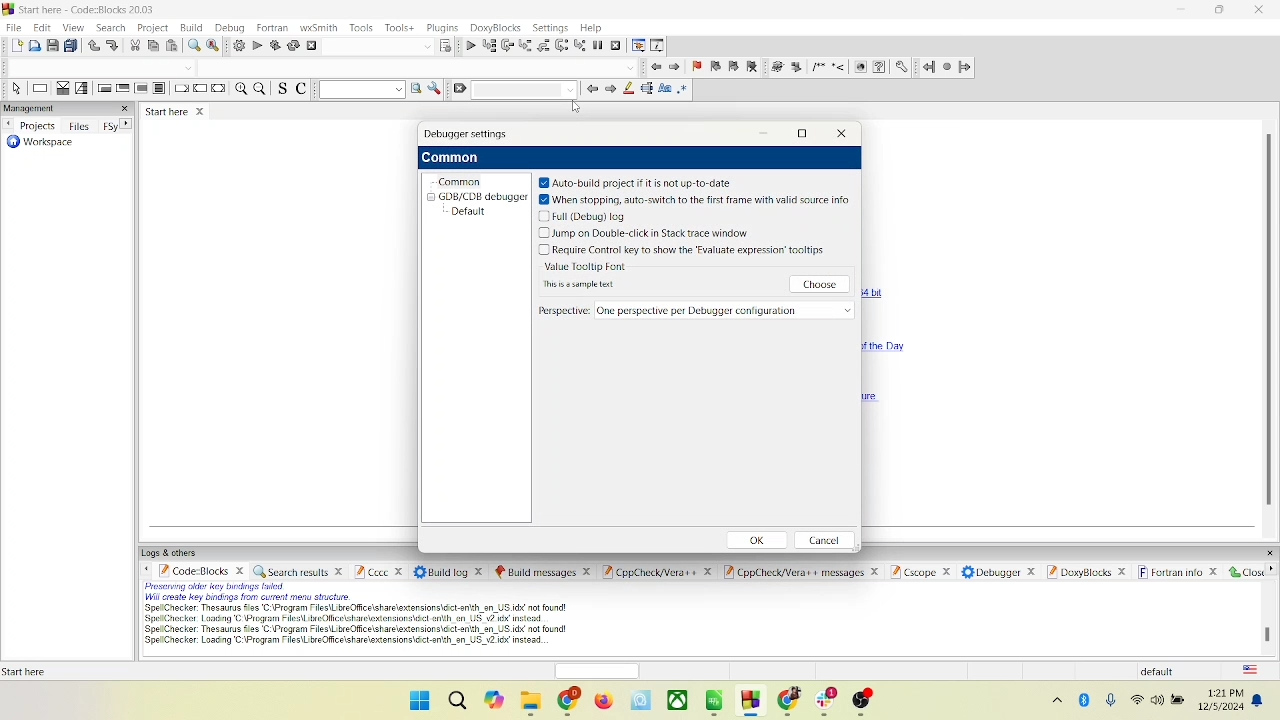 The image size is (1280, 720). Describe the element at coordinates (550, 28) in the screenshot. I see `setting` at that location.